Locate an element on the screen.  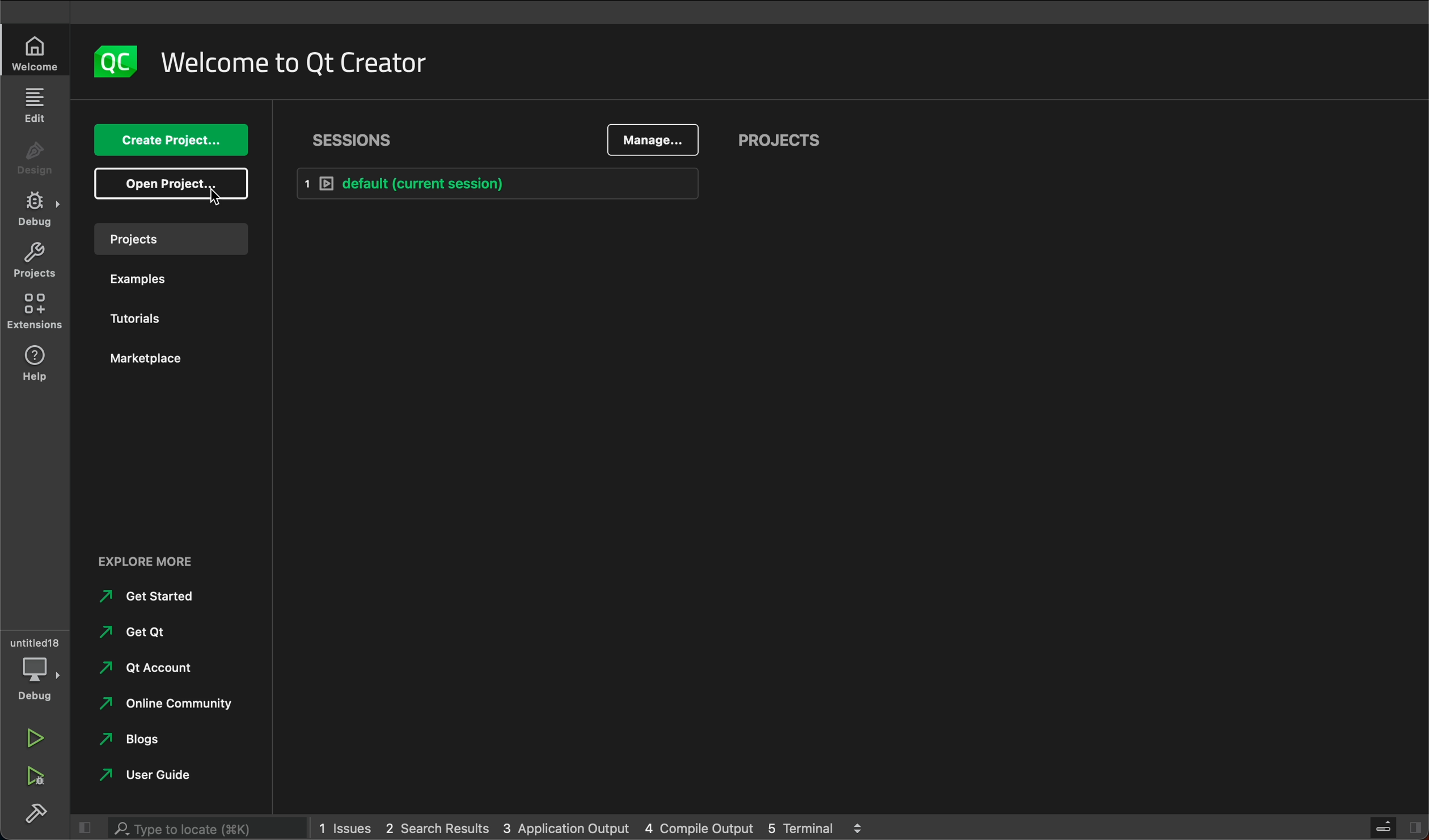
extensions is located at coordinates (37, 311).